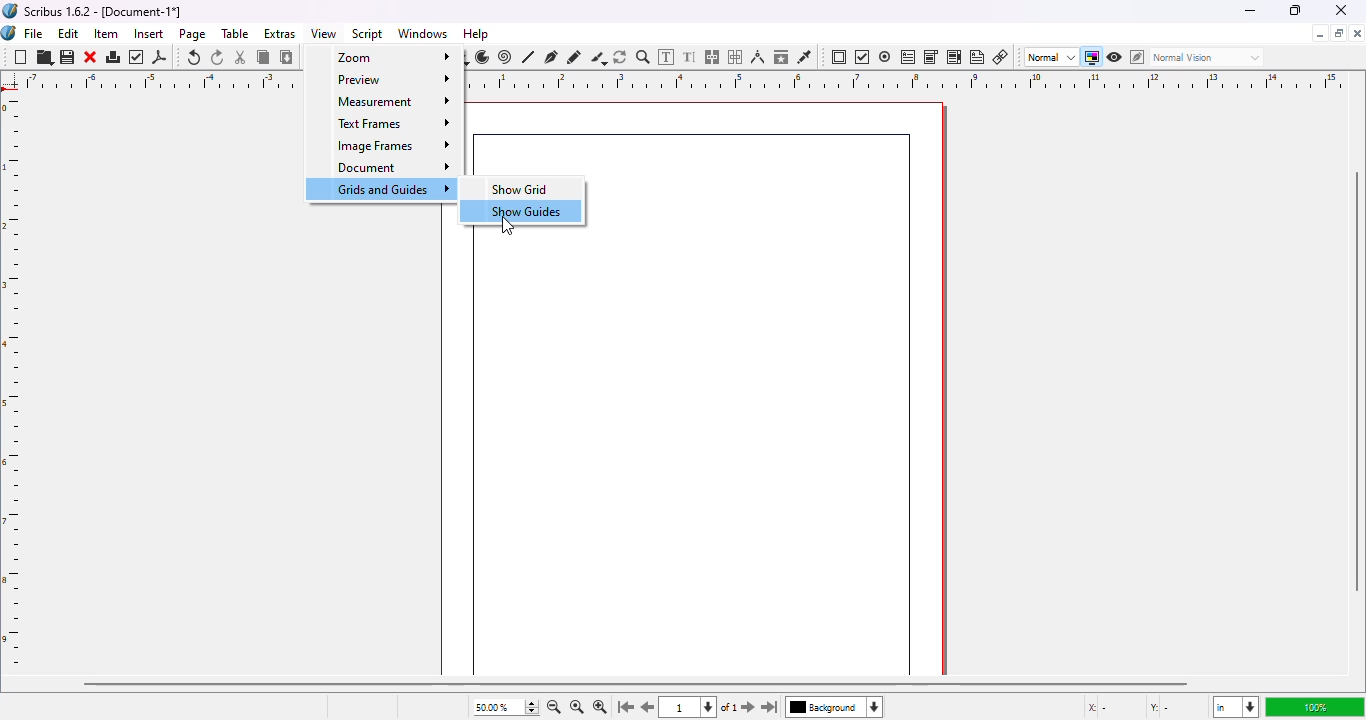 Image resolution: width=1366 pixels, height=720 pixels. What do you see at coordinates (704, 708) in the screenshot?
I see `1 of 1` at bounding box center [704, 708].